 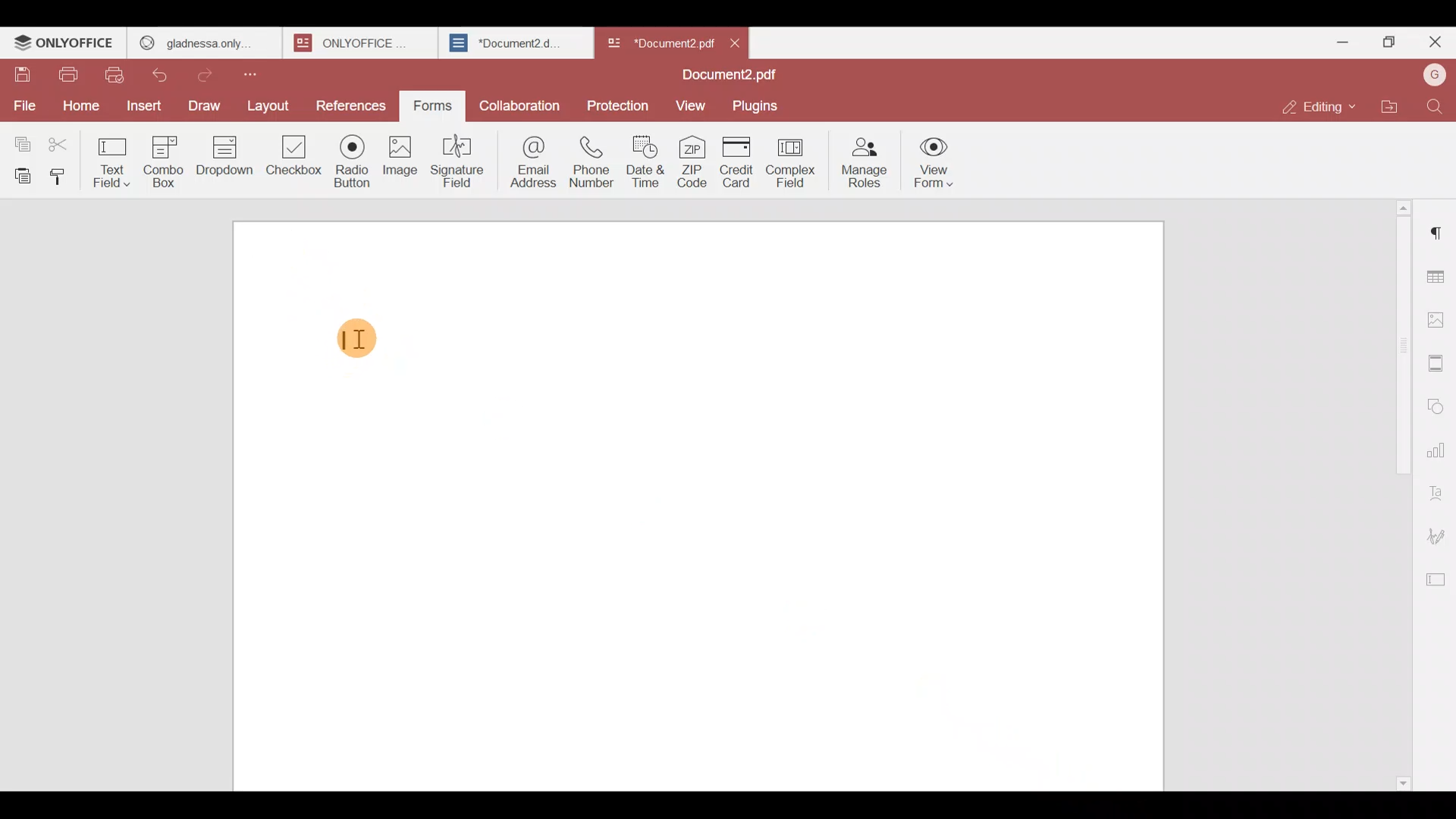 I want to click on Copy style, so click(x=59, y=173).